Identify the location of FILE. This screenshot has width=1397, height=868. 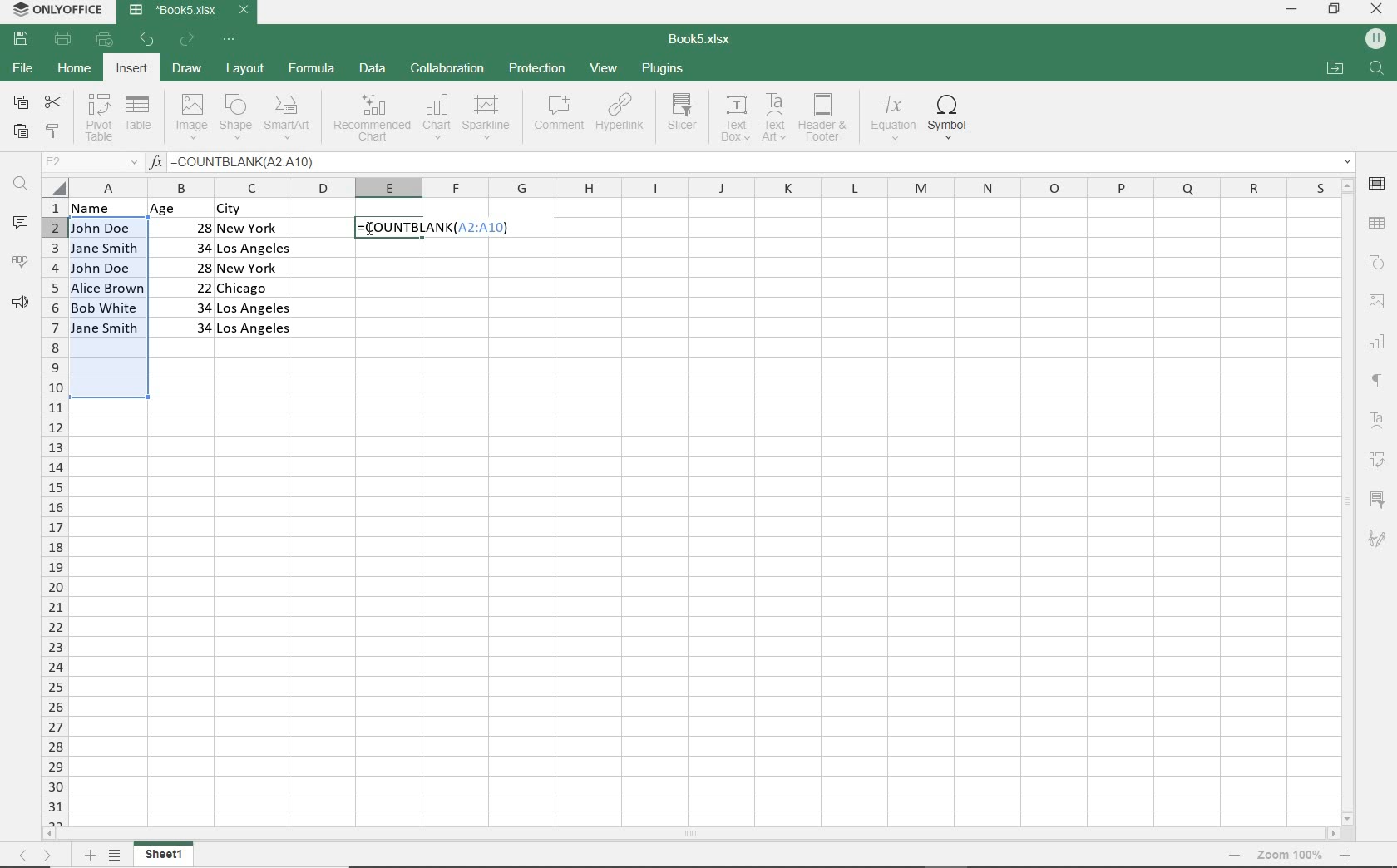
(22, 68).